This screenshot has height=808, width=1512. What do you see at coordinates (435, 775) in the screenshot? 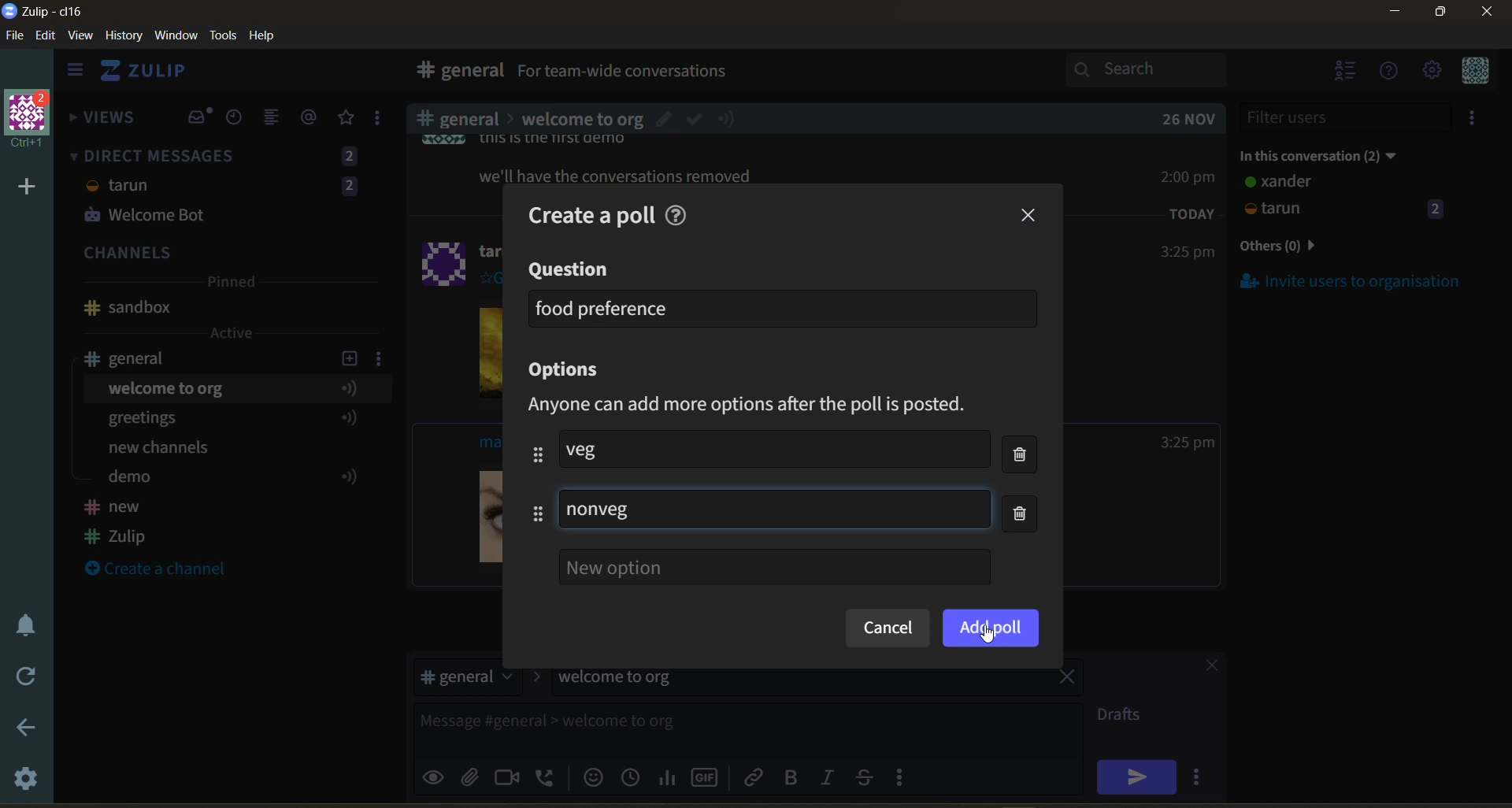
I see `preview` at bounding box center [435, 775].